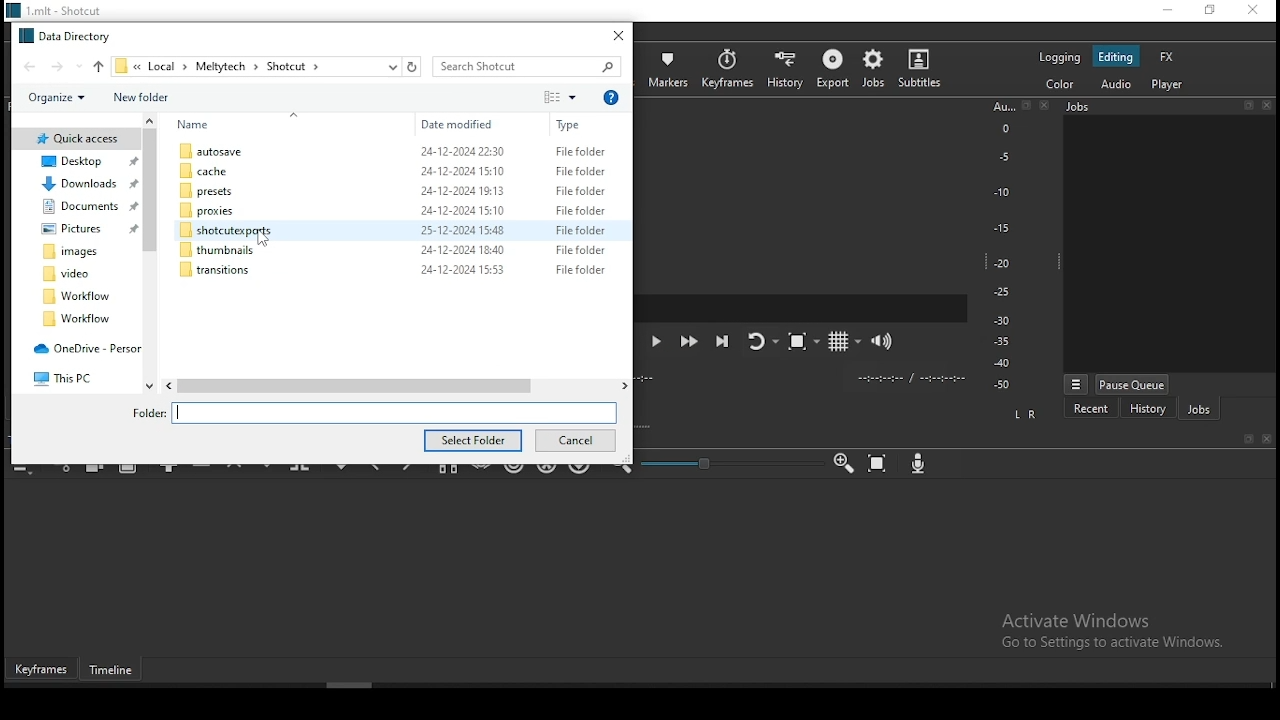 The image size is (1280, 720). What do you see at coordinates (1124, 110) in the screenshot?
I see `Jobs` at bounding box center [1124, 110].